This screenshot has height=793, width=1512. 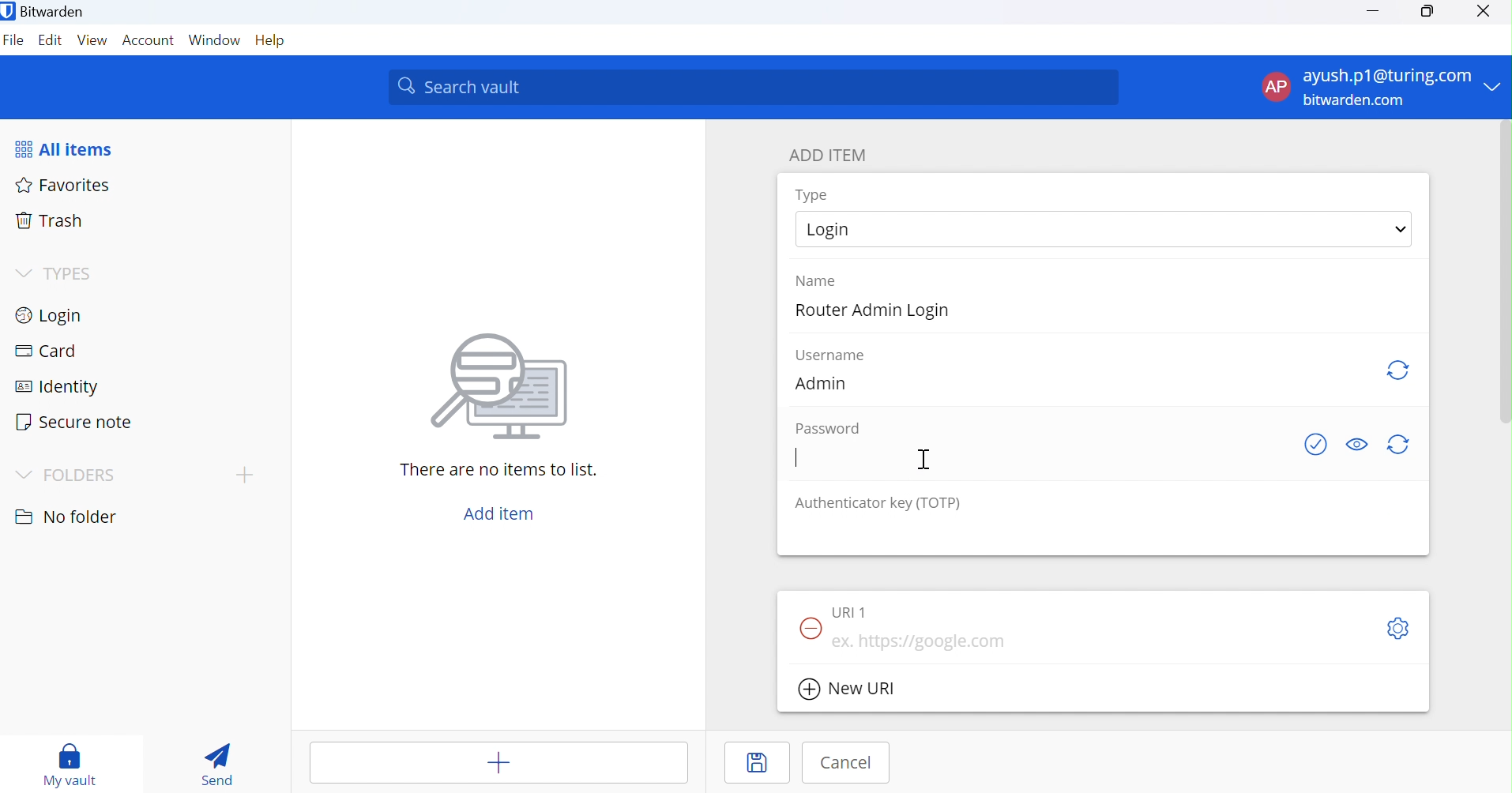 What do you see at coordinates (812, 194) in the screenshot?
I see `Type` at bounding box center [812, 194].